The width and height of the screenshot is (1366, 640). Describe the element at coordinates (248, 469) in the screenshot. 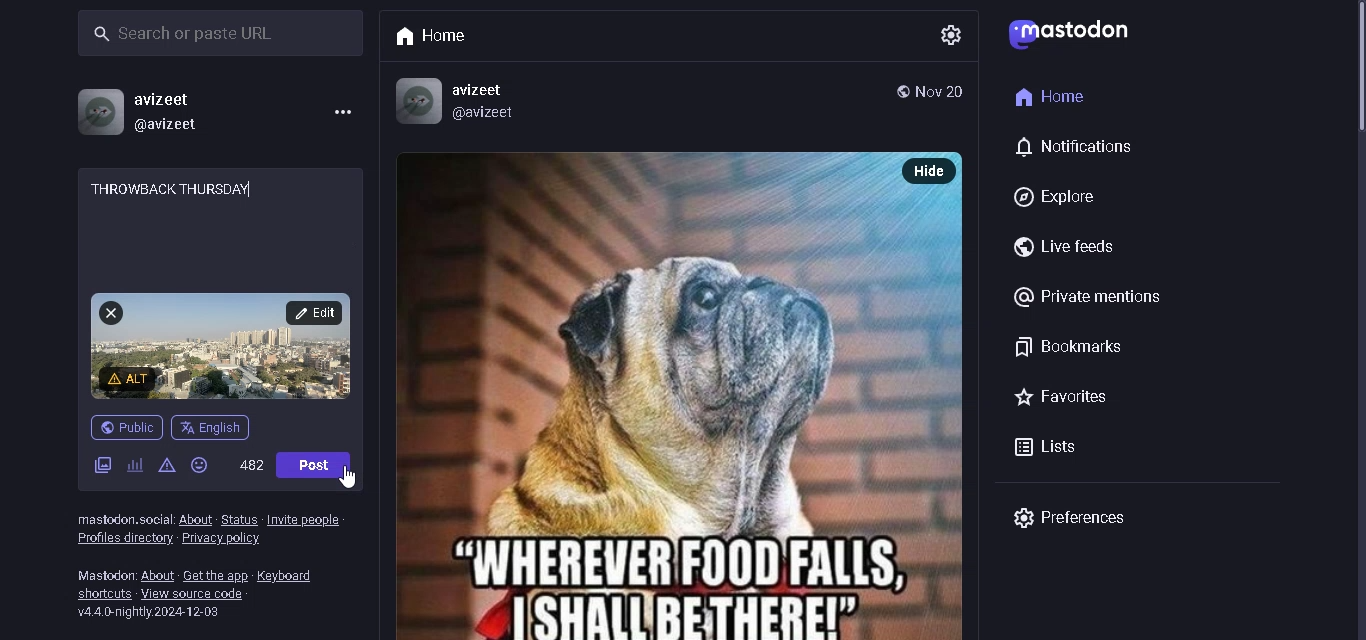

I see `word limit` at that location.